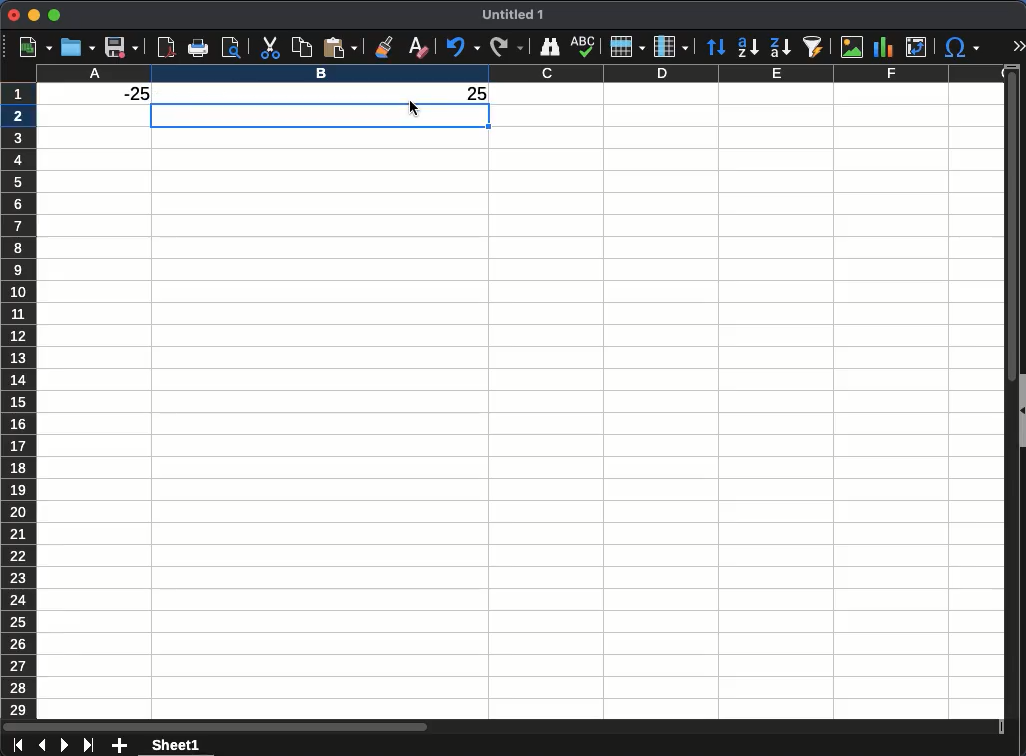 Image resolution: width=1026 pixels, height=756 pixels. I want to click on sort, so click(718, 48).